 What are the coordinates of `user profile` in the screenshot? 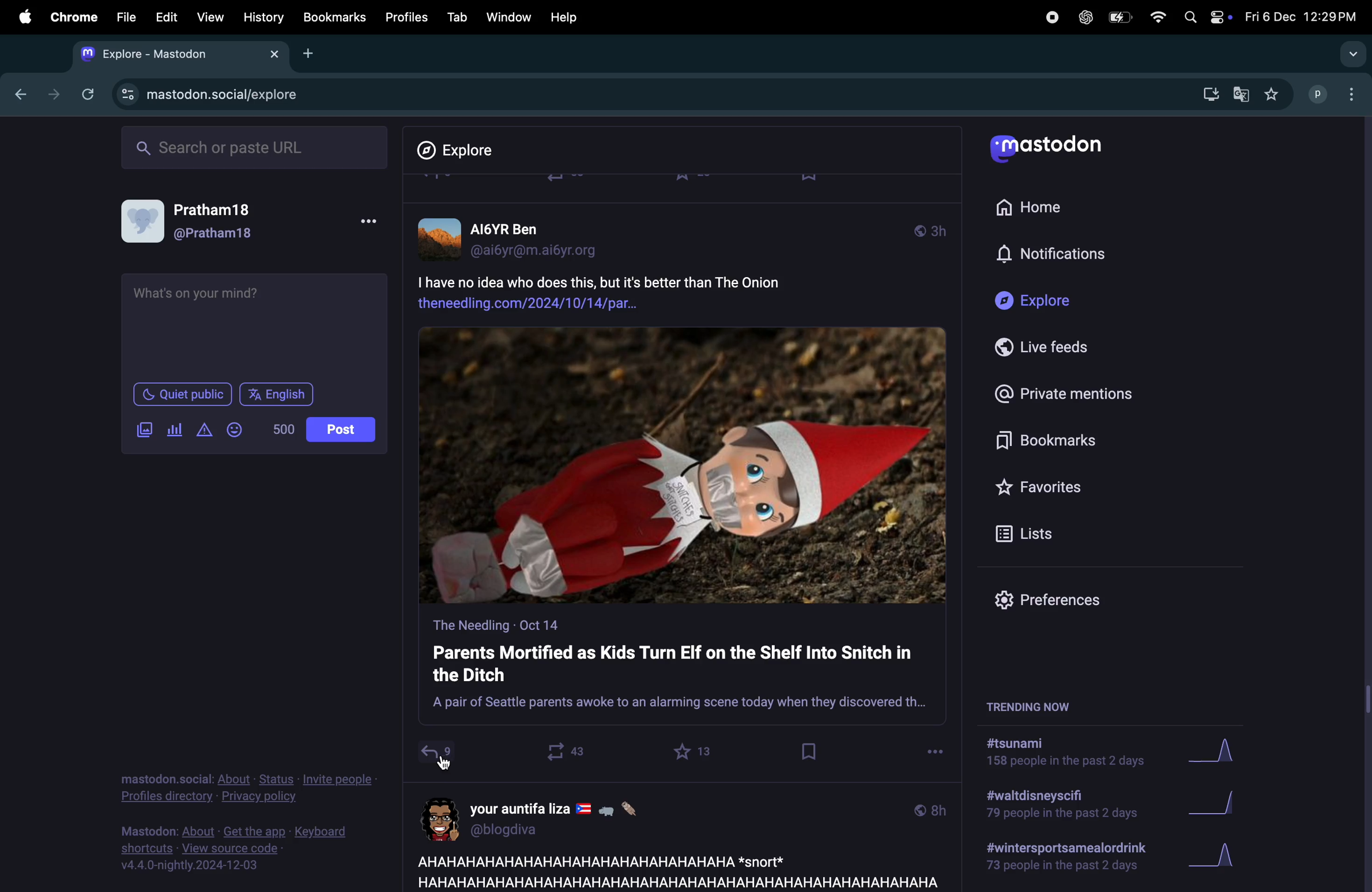 It's located at (1336, 93).